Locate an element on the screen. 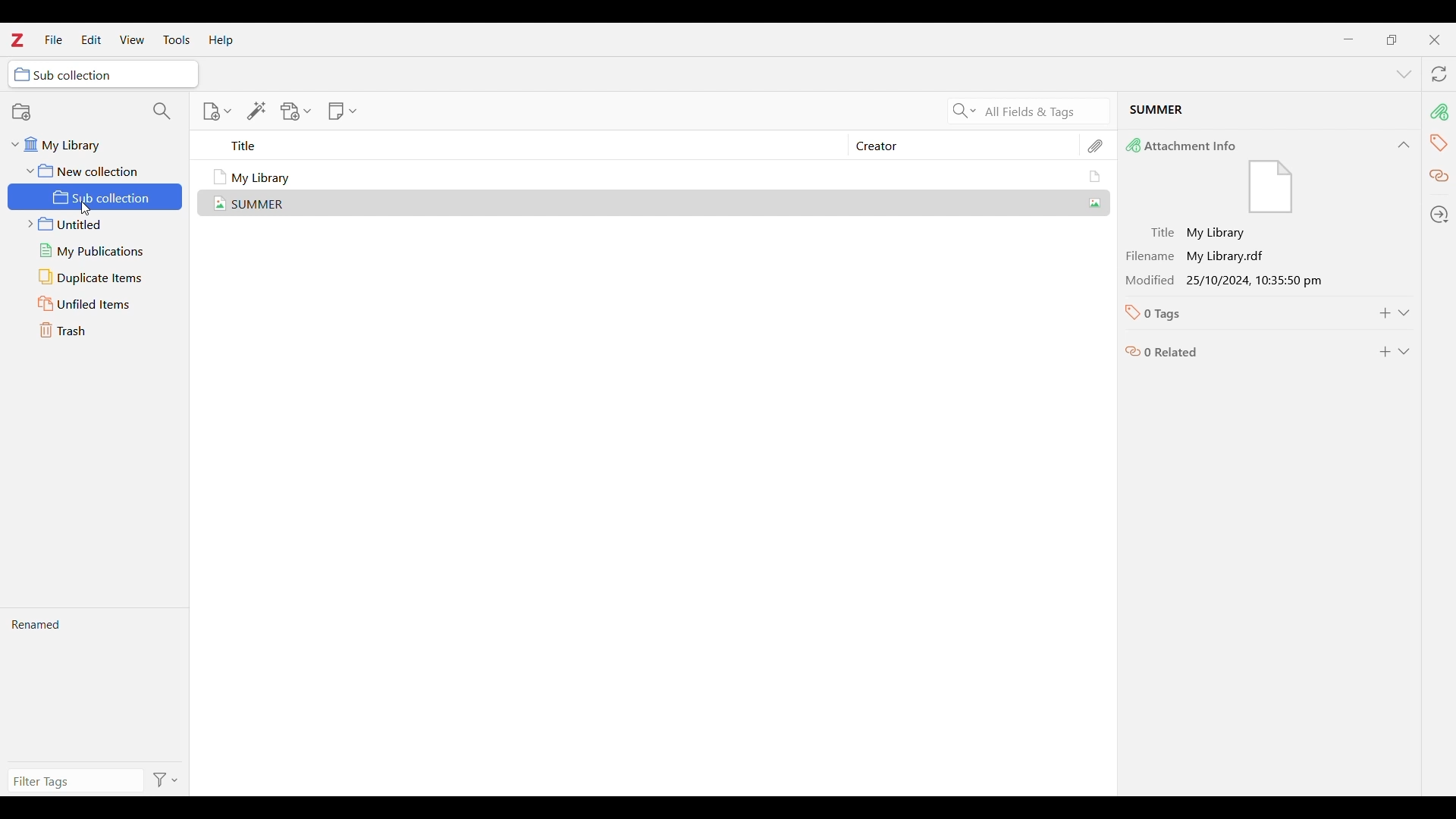 Image resolution: width=1456 pixels, height=819 pixels. Collapse is located at coordinates (1404, 145).